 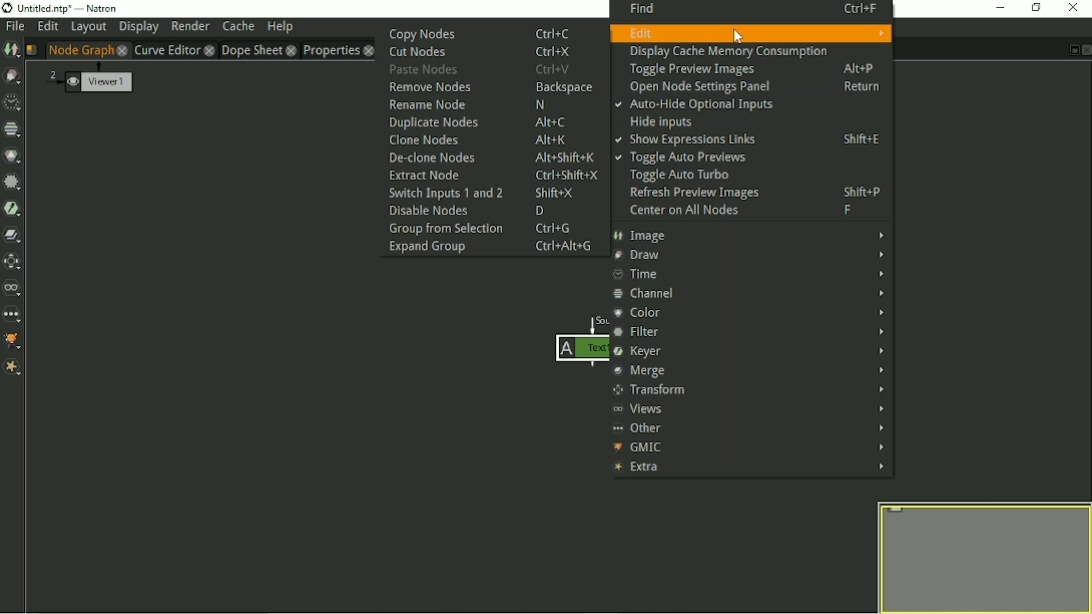 I want to click on Viewer1, so click(x=88, y=79).